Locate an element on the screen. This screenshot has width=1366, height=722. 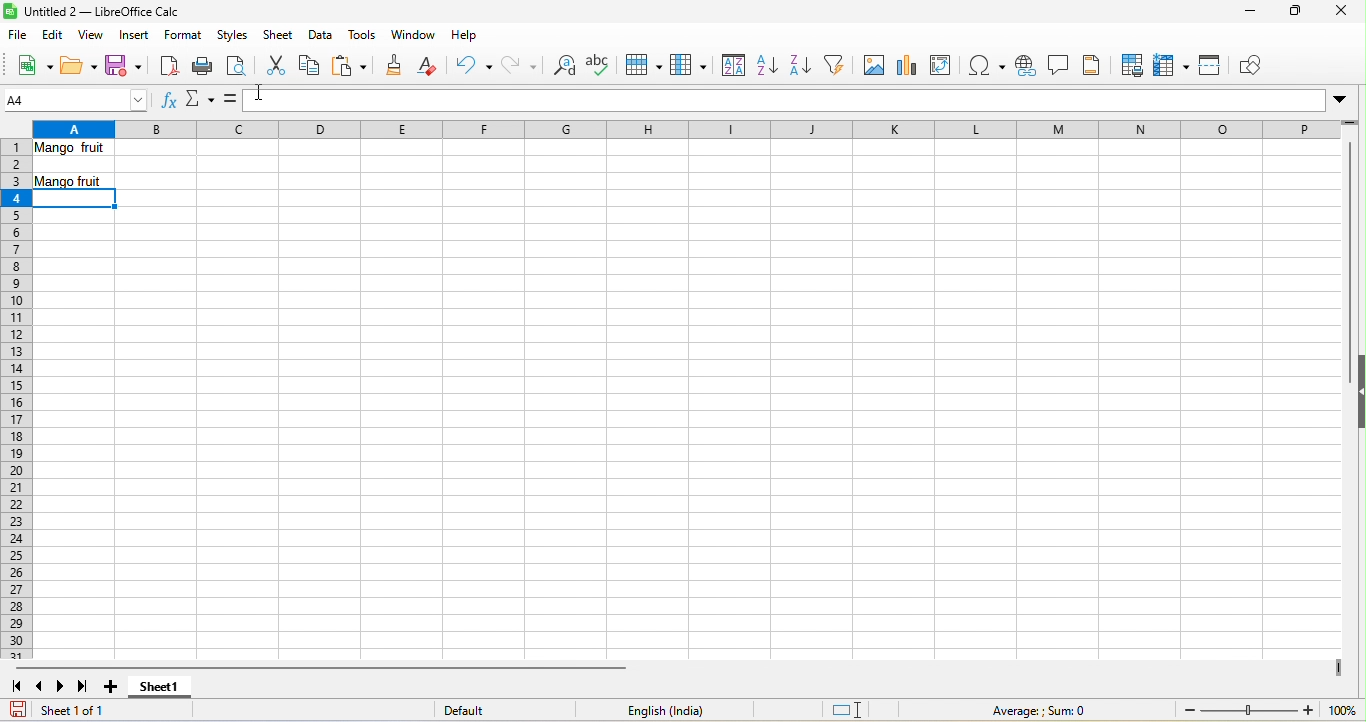
maximize is located at coordinates (1292, 13).